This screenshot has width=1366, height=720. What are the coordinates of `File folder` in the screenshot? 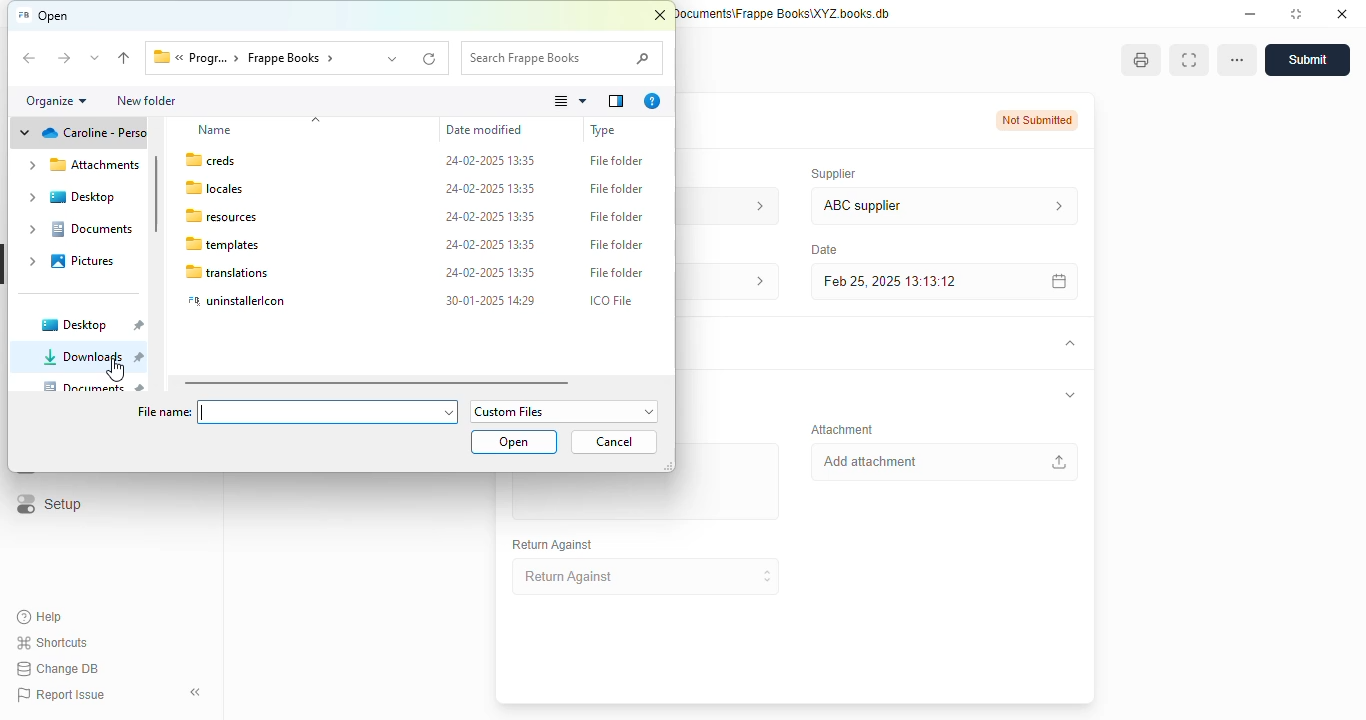 It's located at (617, 244).